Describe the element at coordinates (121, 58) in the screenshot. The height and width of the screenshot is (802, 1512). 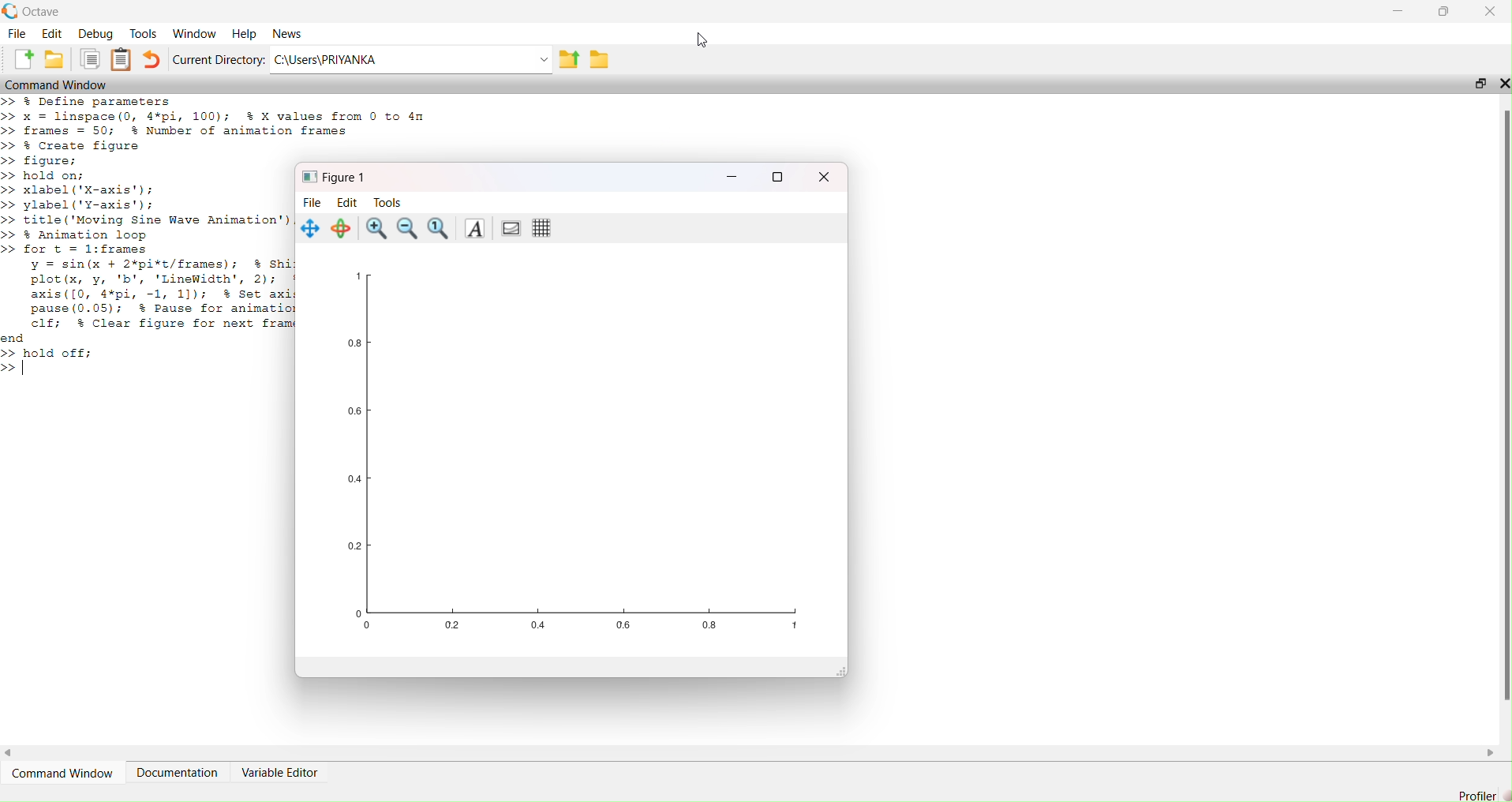
I see `notes` at that location.